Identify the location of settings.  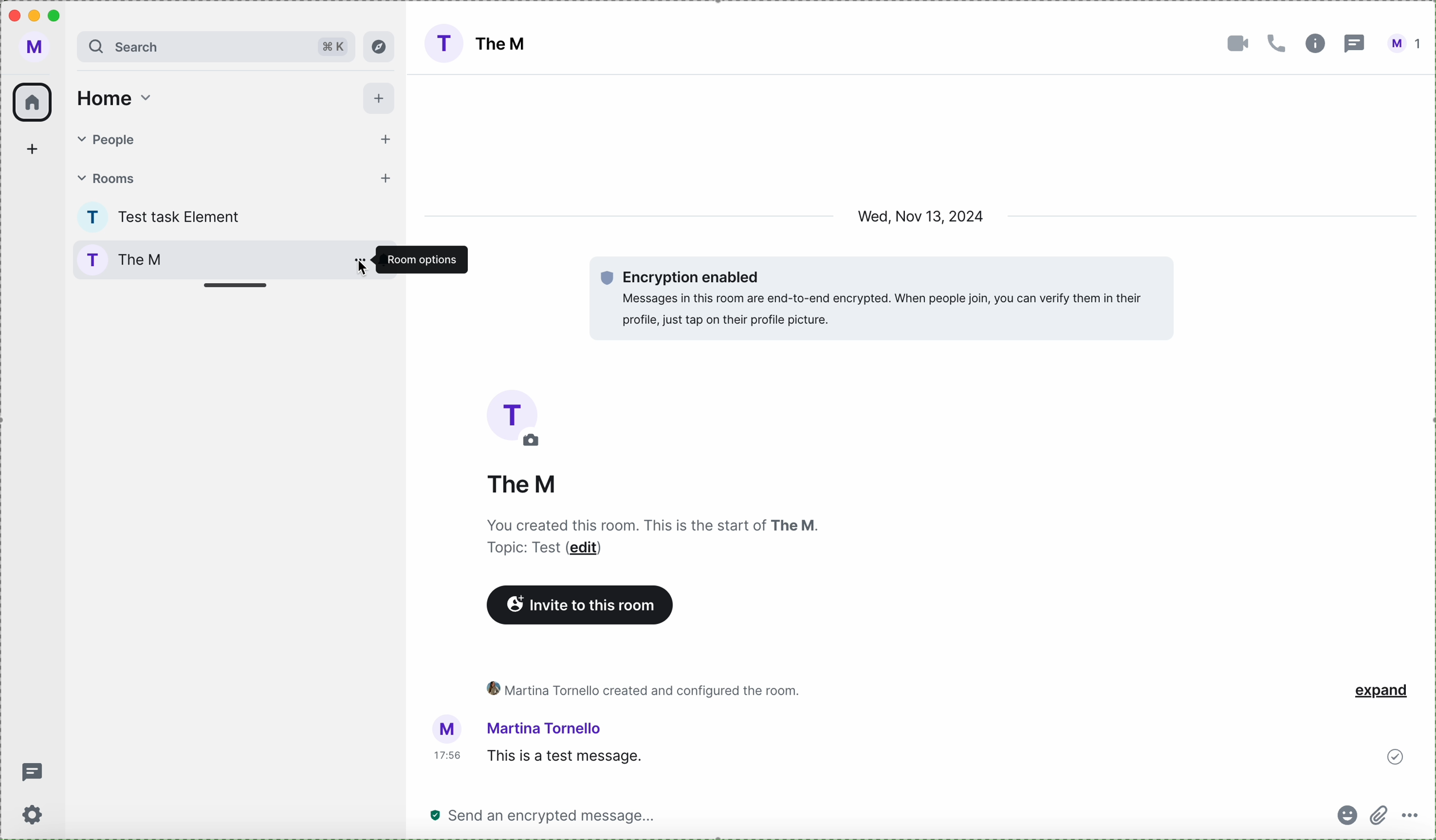
(33, 814).